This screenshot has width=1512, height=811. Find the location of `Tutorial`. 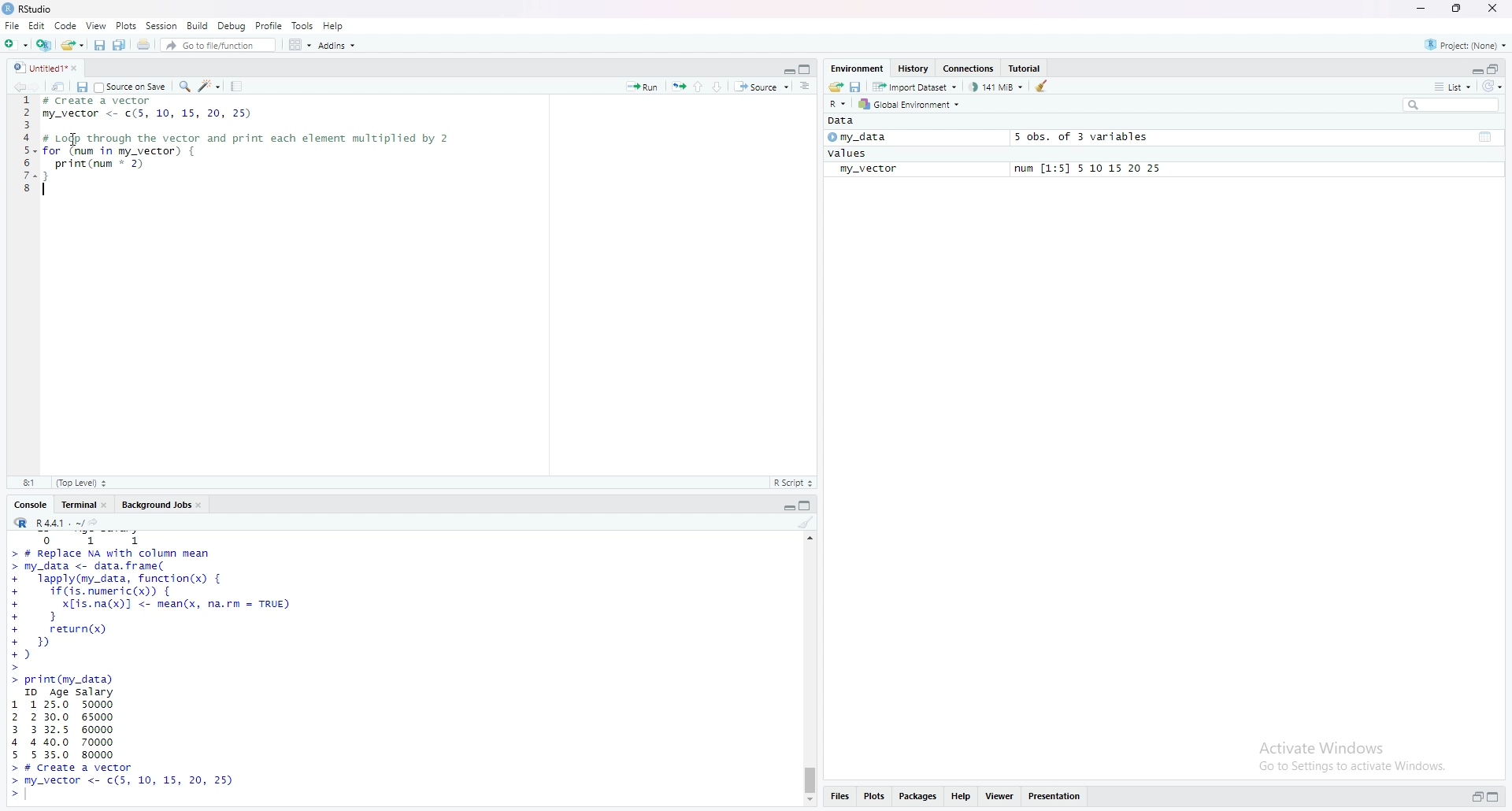

Tutorial is located at coordinates (1027, 67).